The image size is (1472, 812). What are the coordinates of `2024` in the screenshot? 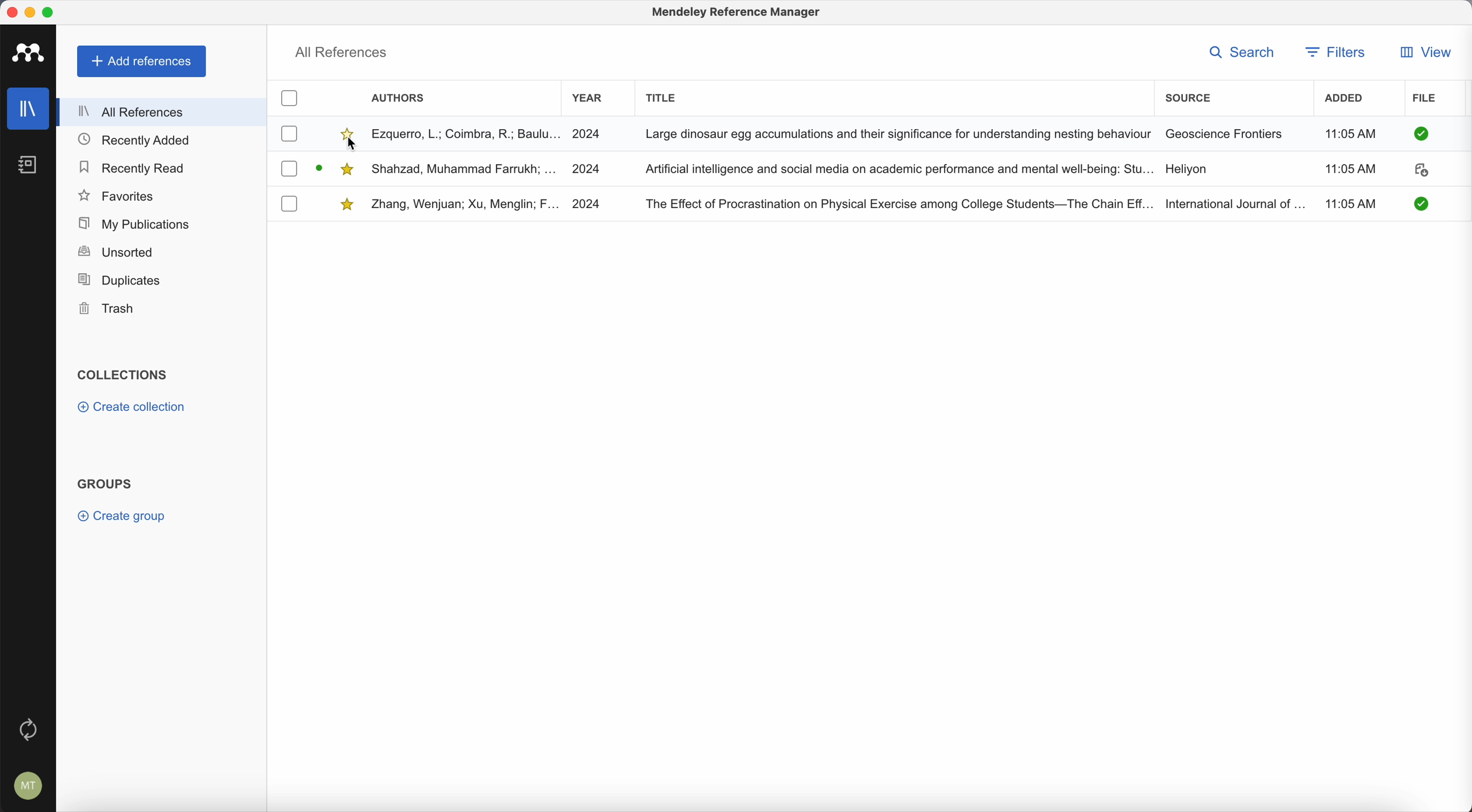 It's located at (590, 203).